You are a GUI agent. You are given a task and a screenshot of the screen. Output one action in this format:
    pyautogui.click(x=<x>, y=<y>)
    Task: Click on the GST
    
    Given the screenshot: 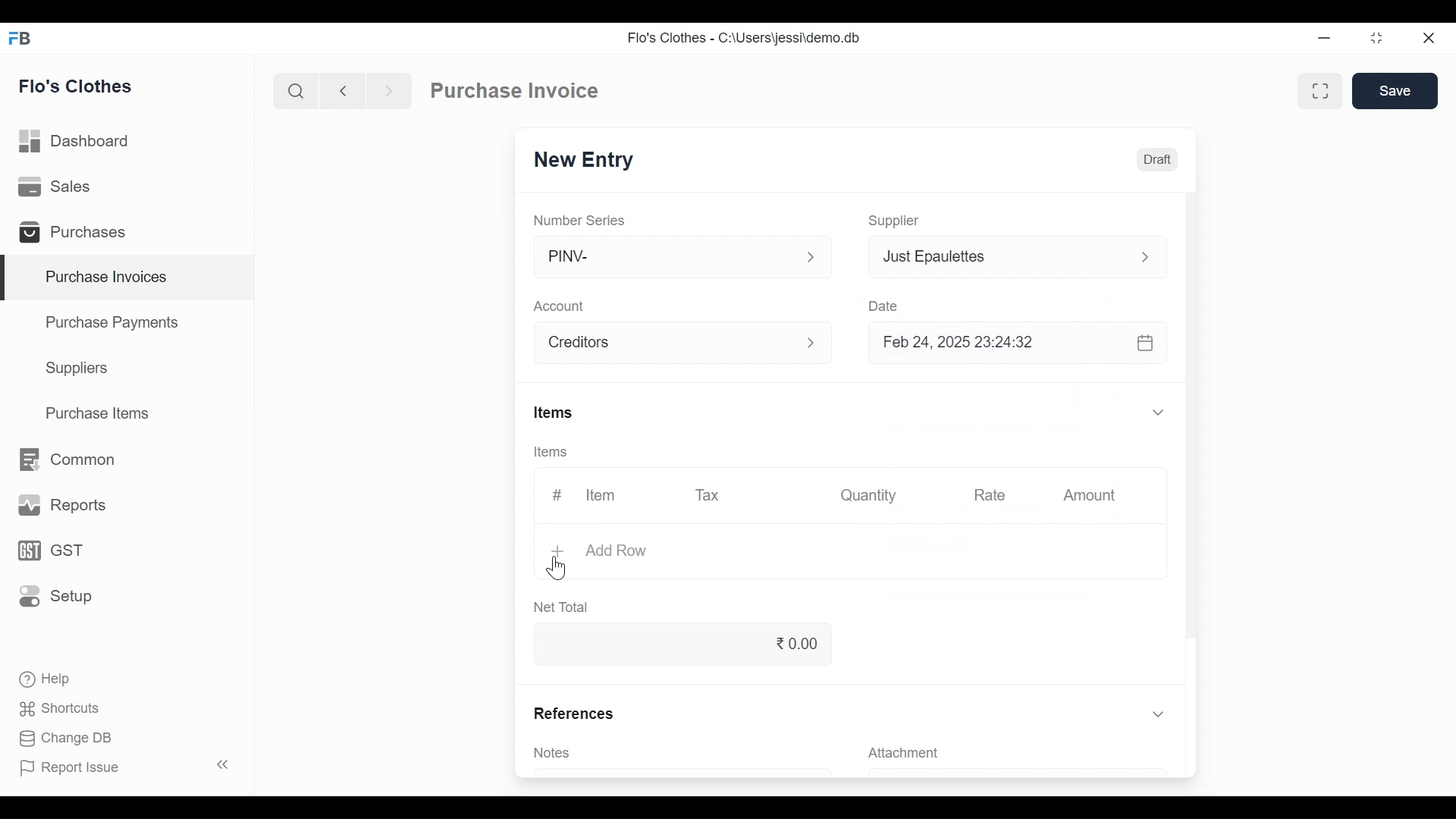 What is the action you would take?
    pyautogui.click(x=50, y=551)
    